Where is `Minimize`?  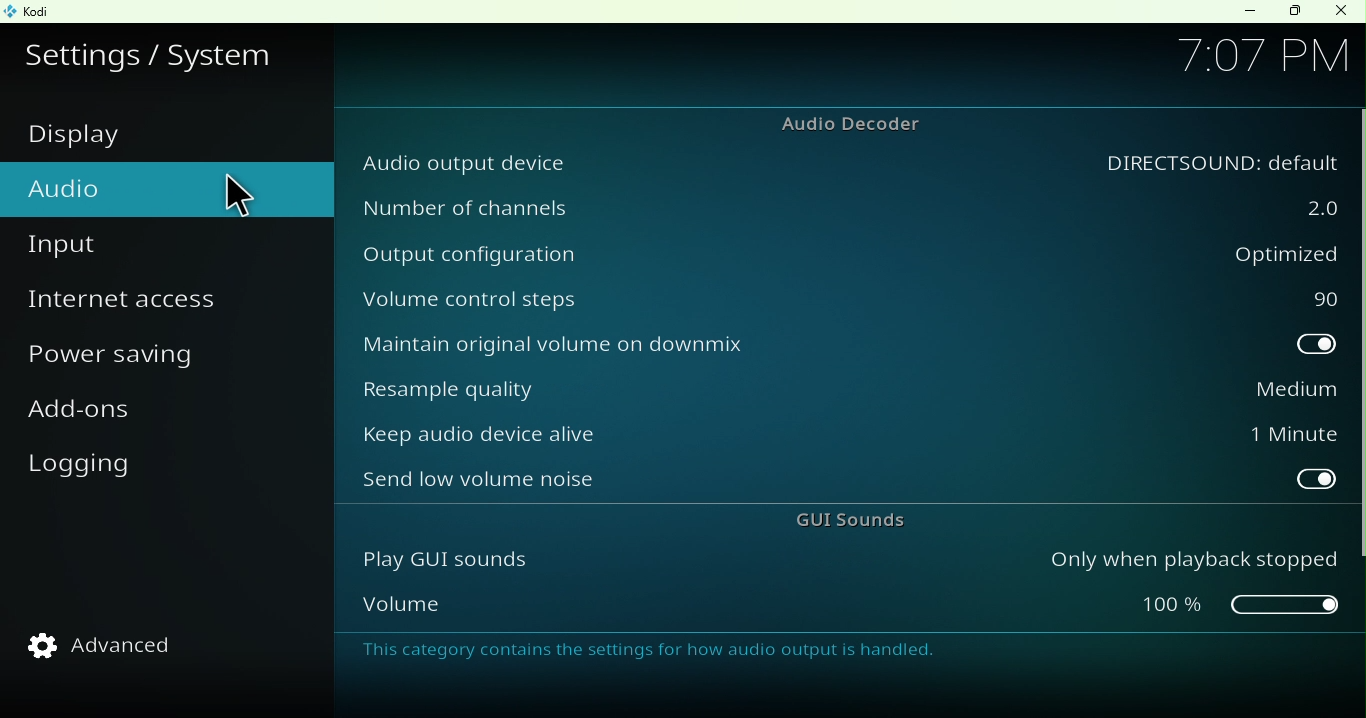 Minimize is located at coordinates (1240, 13).